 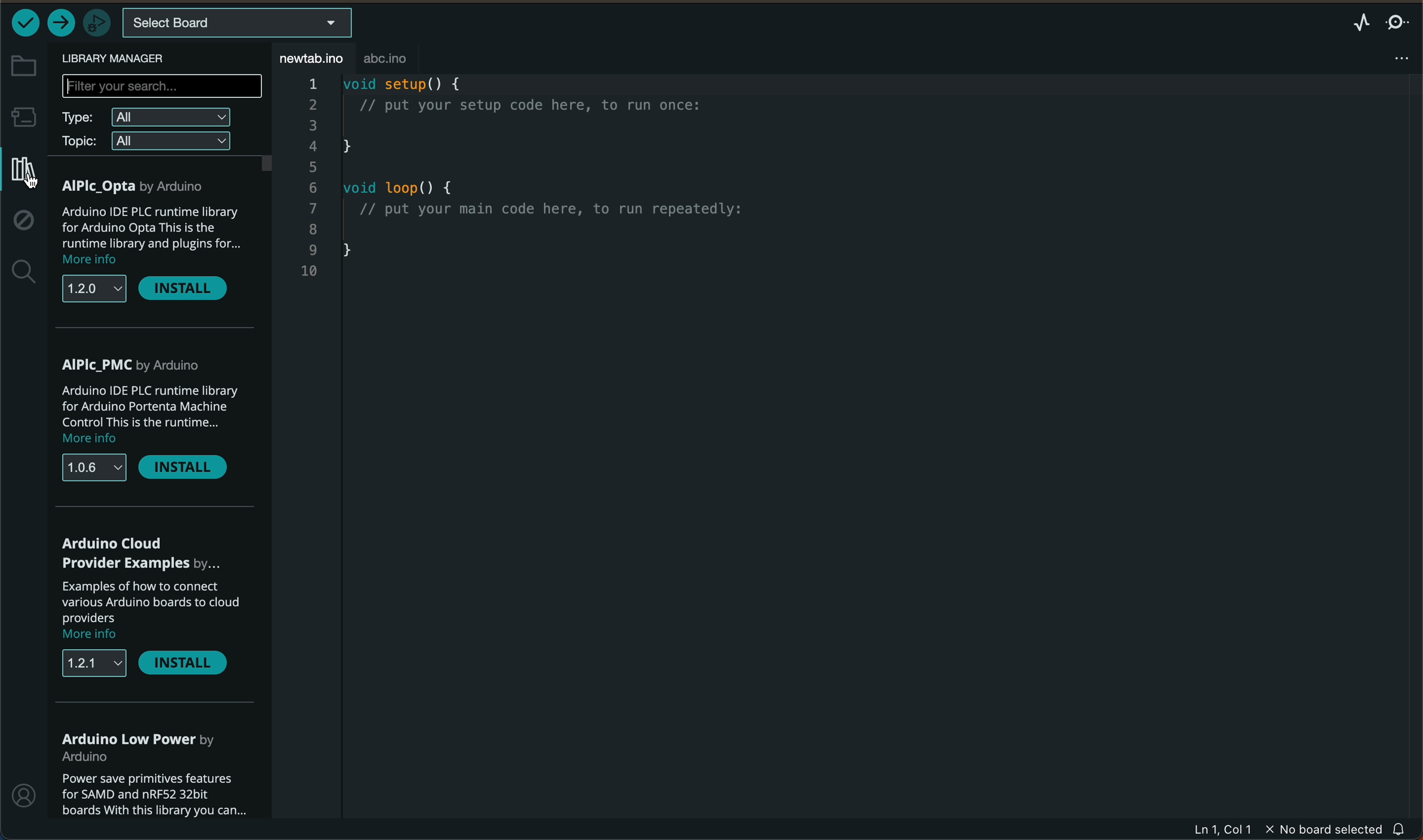 I want to click on description, so click(x=152, y=613).